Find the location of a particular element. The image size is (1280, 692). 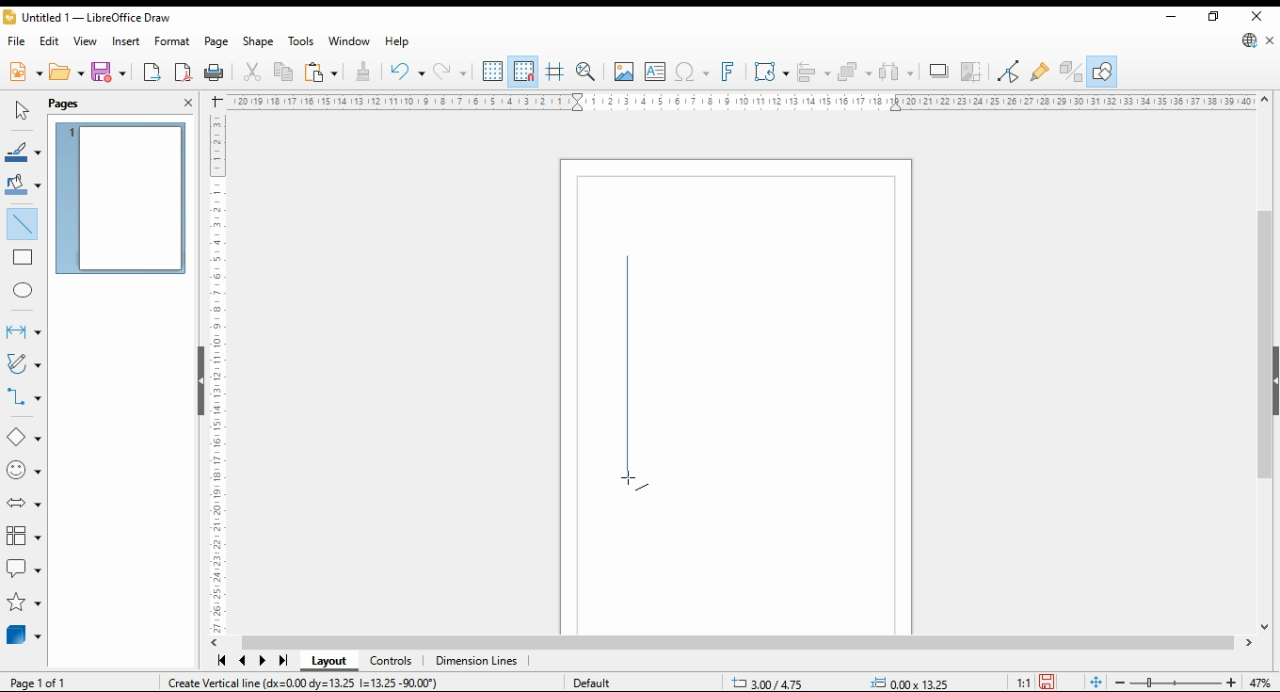

connectors is located at coordinates (24, 397).